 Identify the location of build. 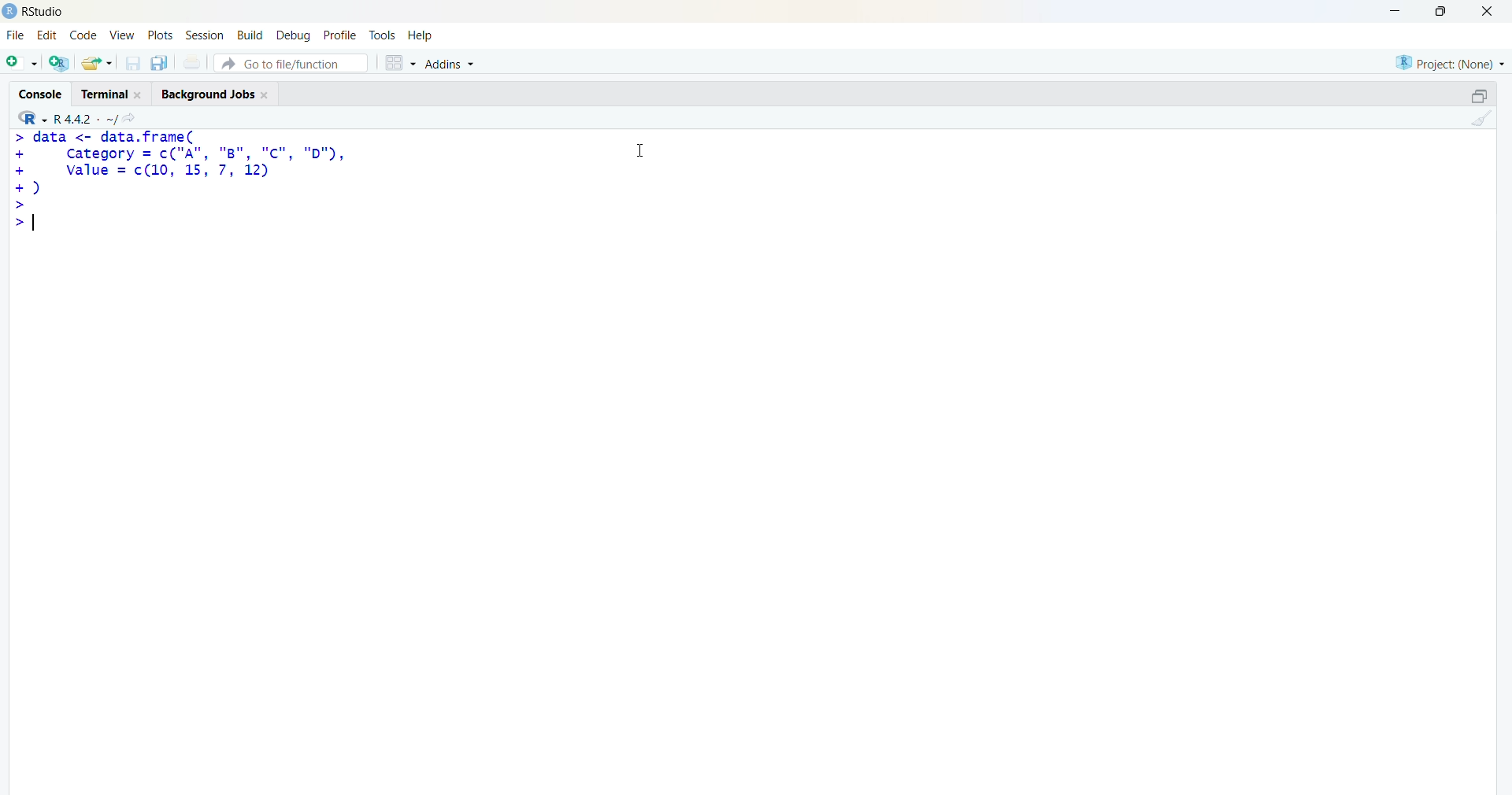
(249, 35).